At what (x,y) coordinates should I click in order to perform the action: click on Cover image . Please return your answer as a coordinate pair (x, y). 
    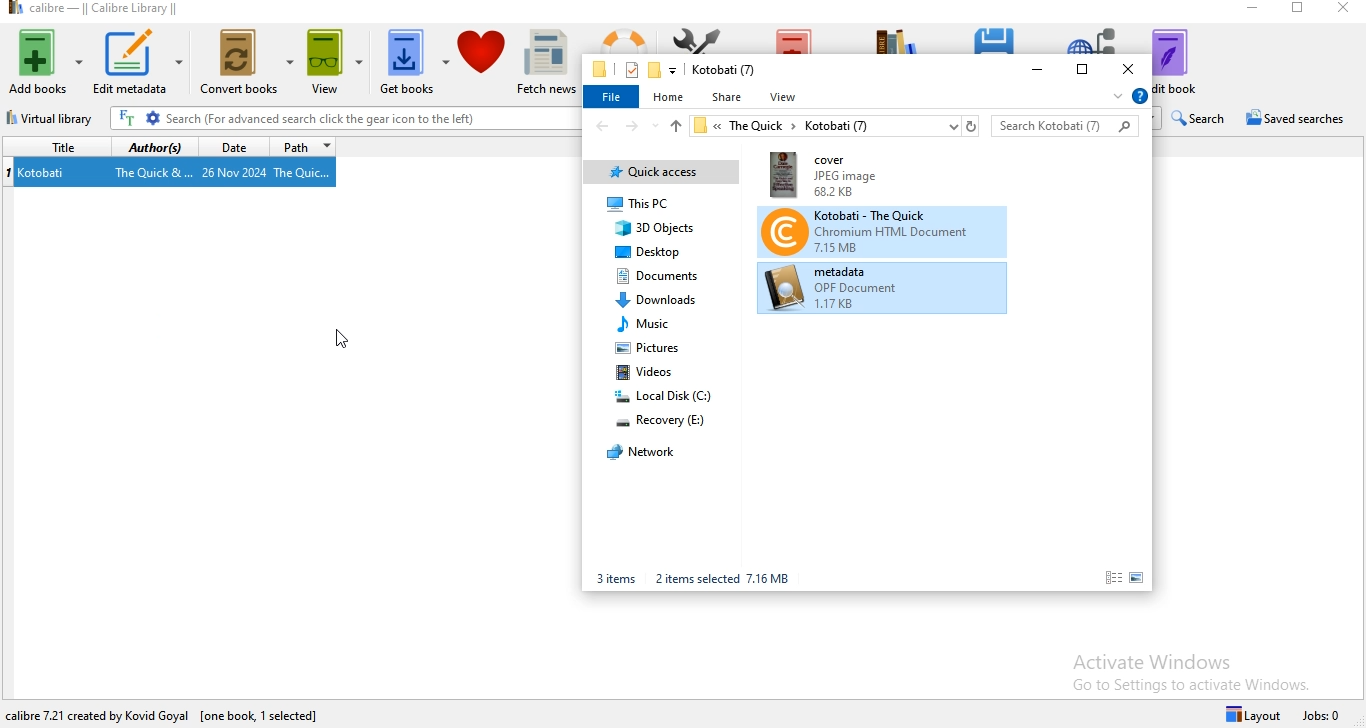
    Looking at the image, I should click on (839, 176).